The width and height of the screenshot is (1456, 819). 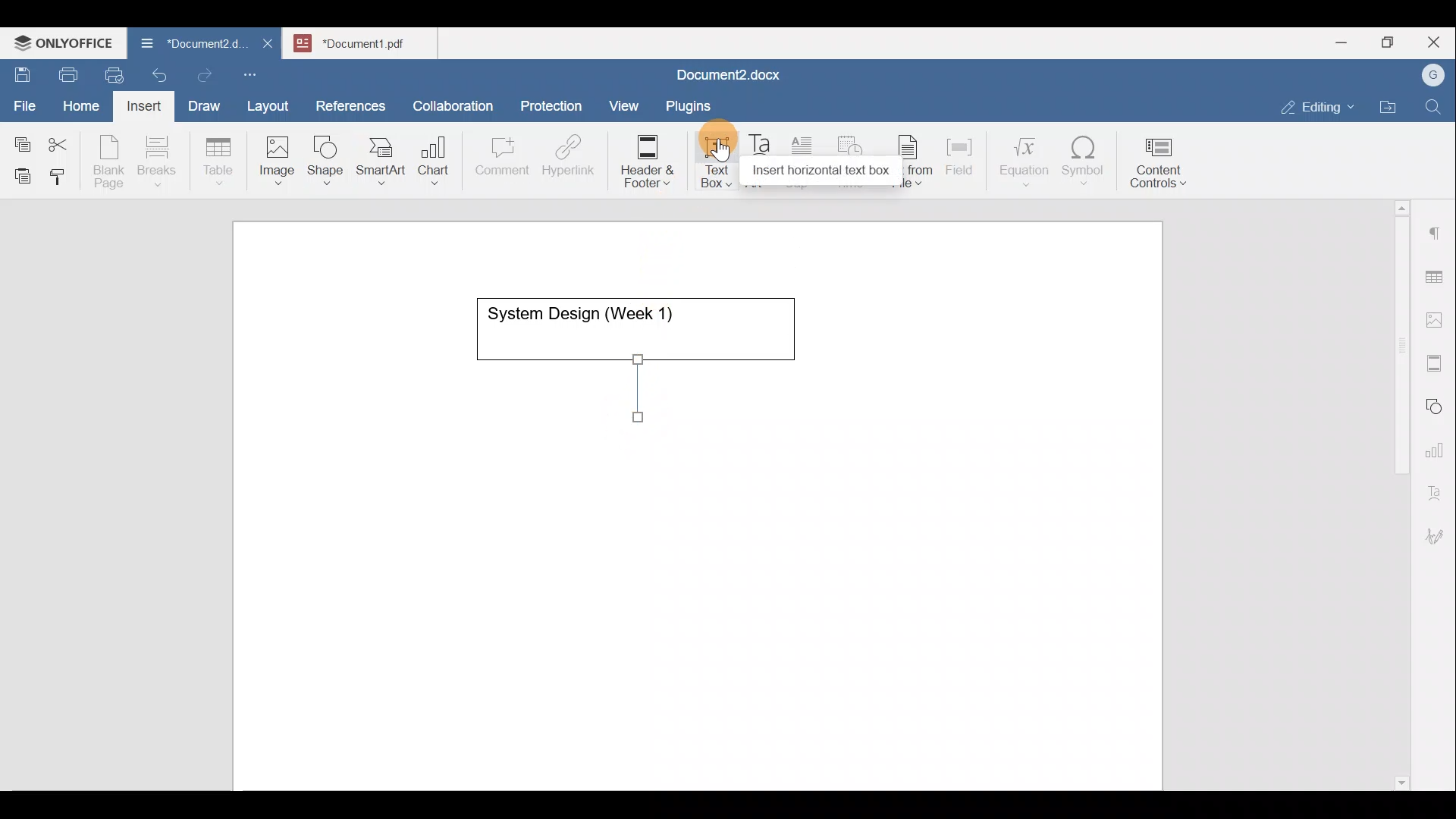 What do you see at coordinates (271, 103) in the screenshot?
I see `Layout` at bounding box center [271, 103].